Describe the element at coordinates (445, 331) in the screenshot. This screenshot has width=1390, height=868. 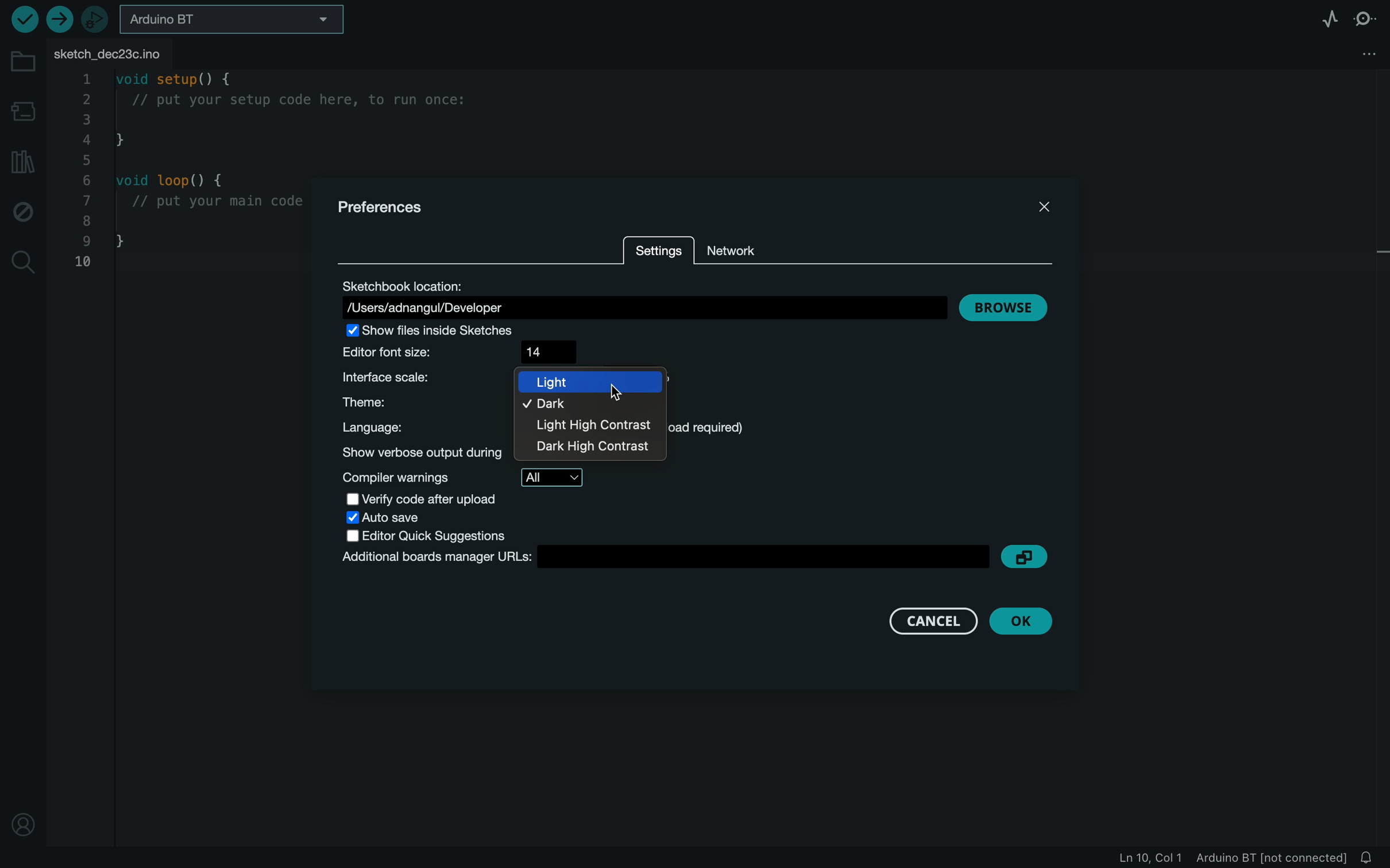
I see `show file` at that location.